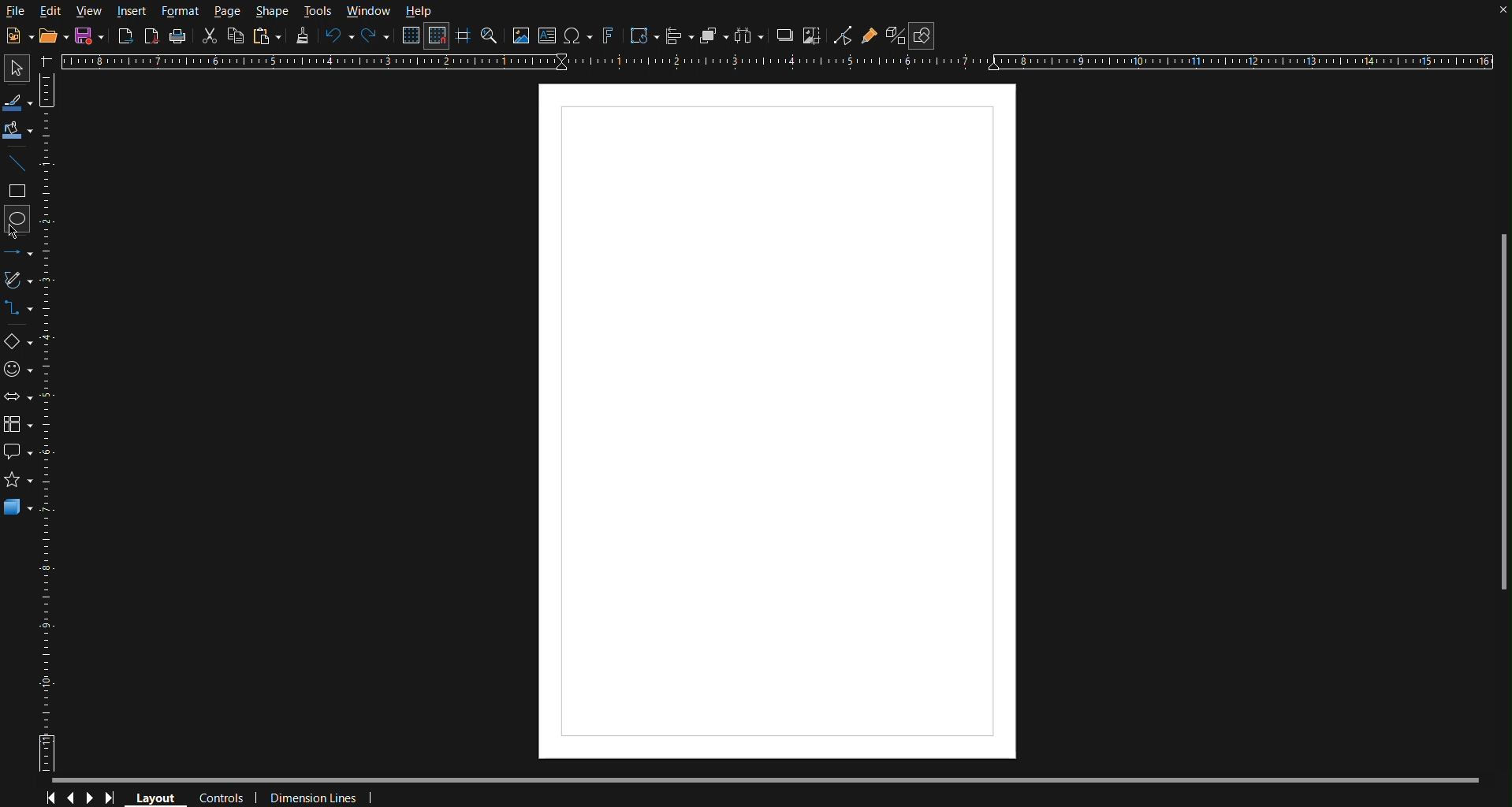 This screenshot has width=1512, height=807. Describe the element at coordinates (17, 13) in the screenshot. I see `File` at that location.